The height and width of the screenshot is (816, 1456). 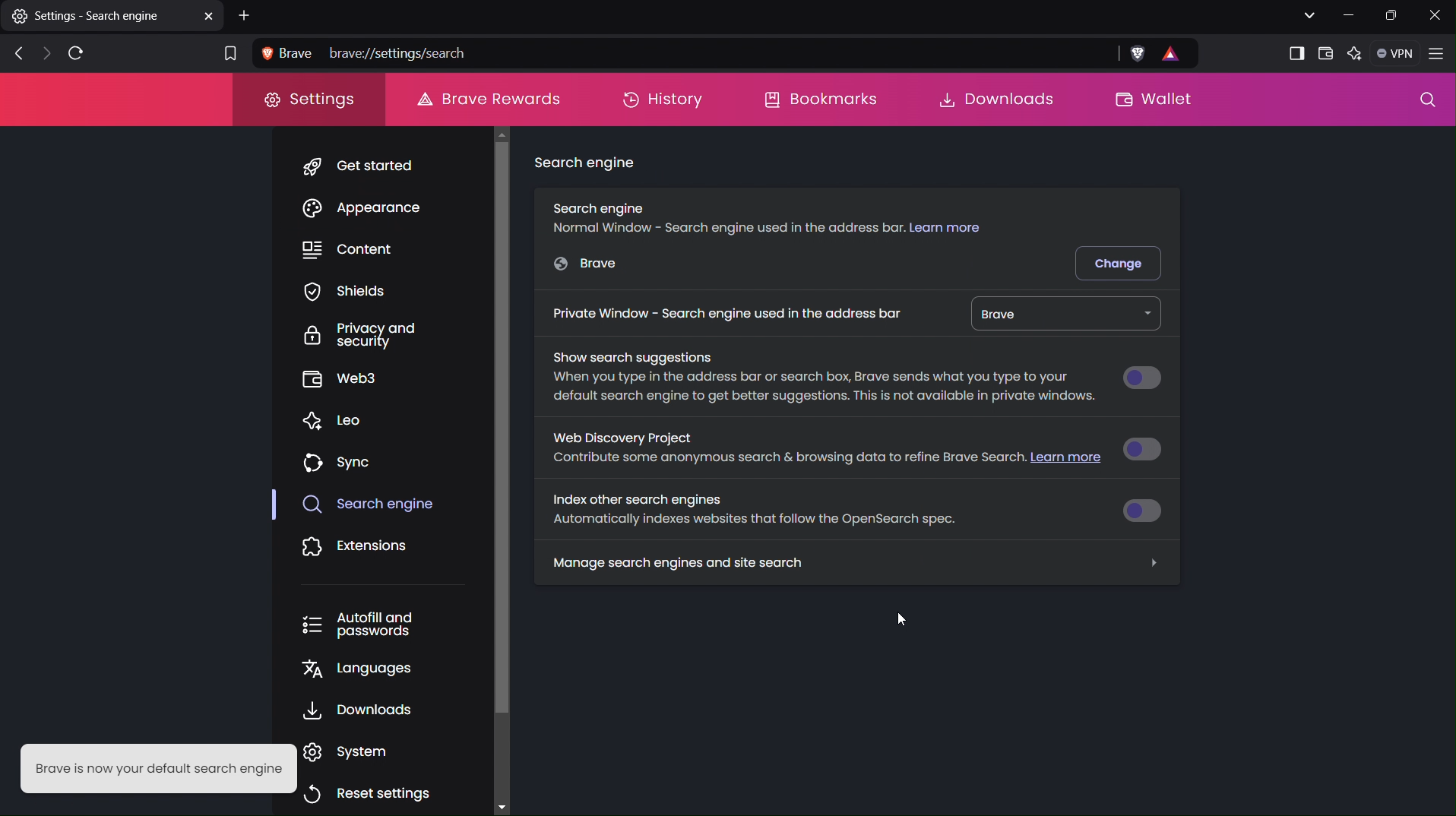 What do you see at coordinates (74, 54) in the screenshot?
I see `Refresh` at bounding box center [74, 54].